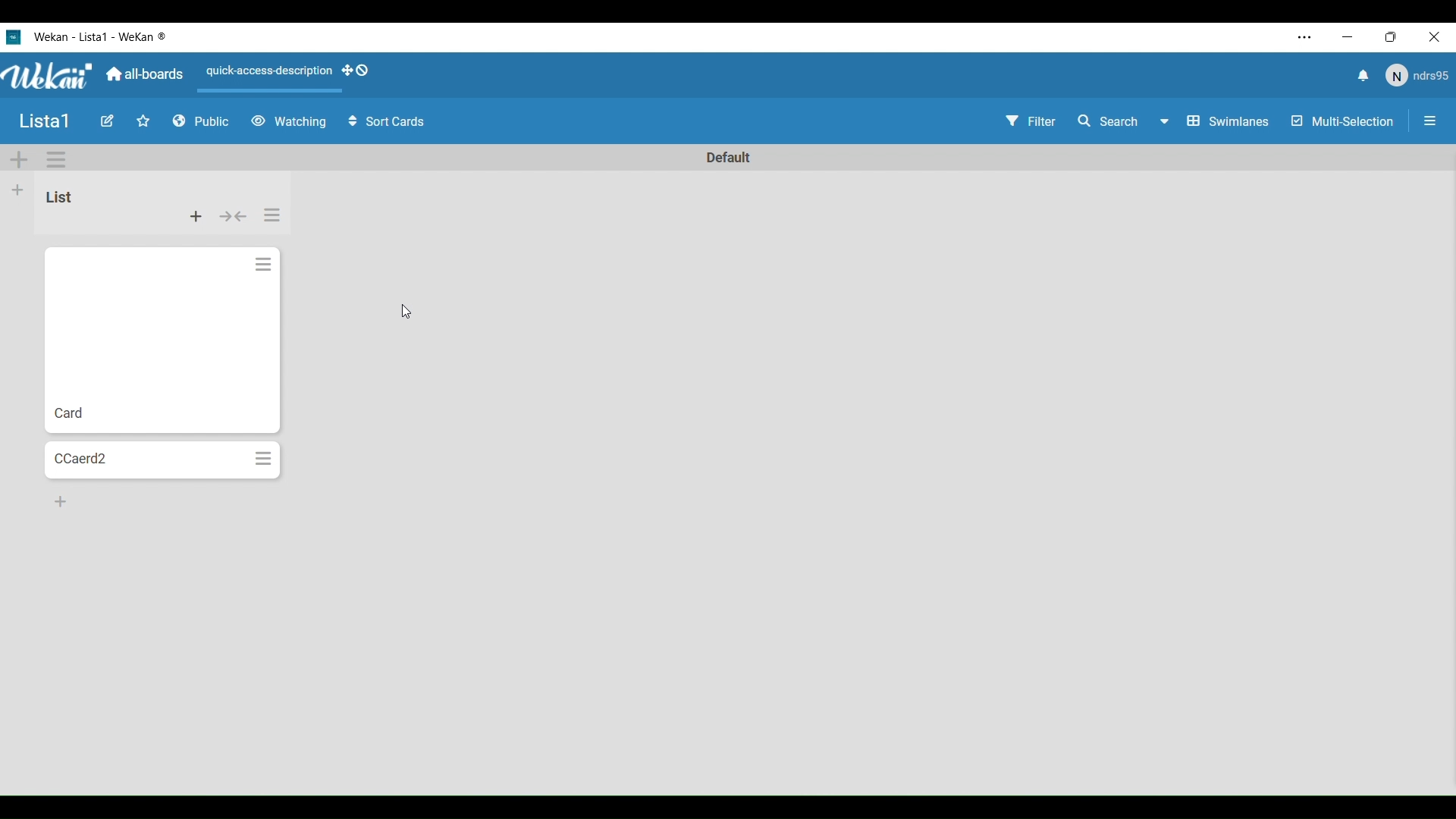 The width and height of the screenshot is (1456, 819). I want to click on Filter, so click(1030, 124).